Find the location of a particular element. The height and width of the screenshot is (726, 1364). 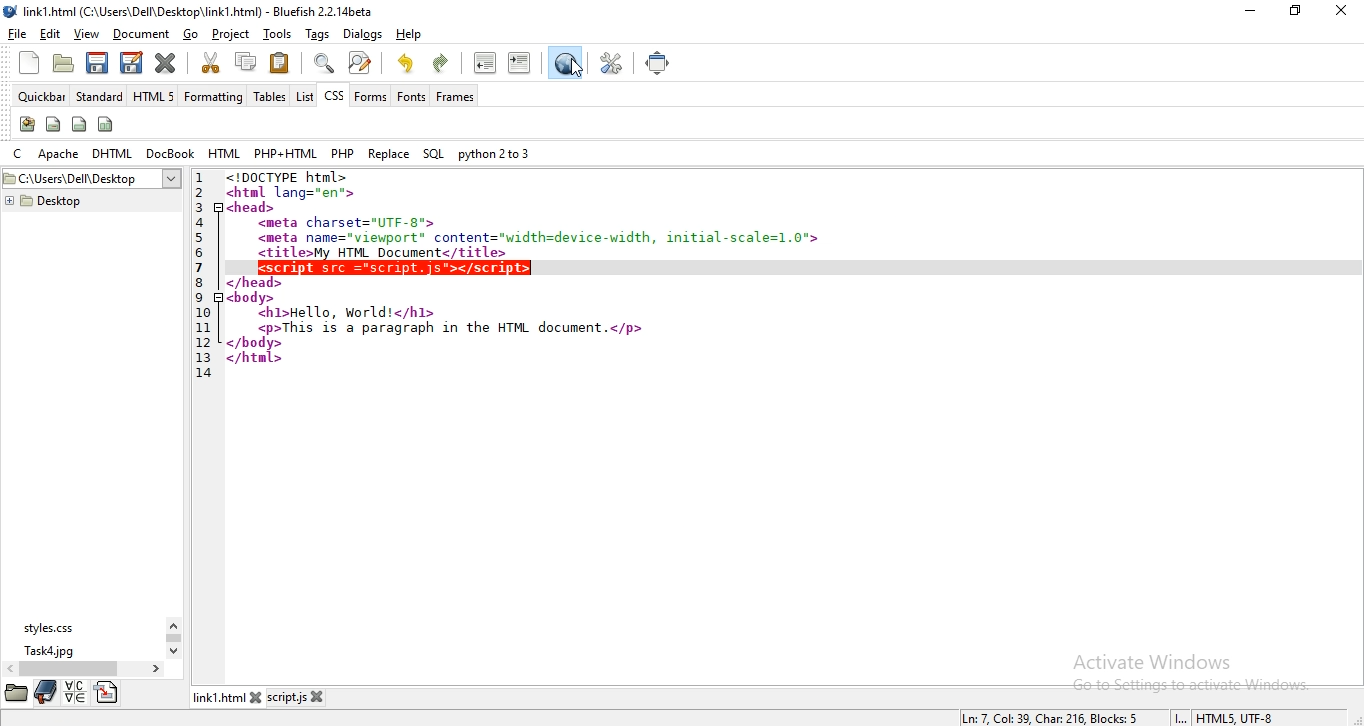

edit preferences is located at coordinates (611, 64).